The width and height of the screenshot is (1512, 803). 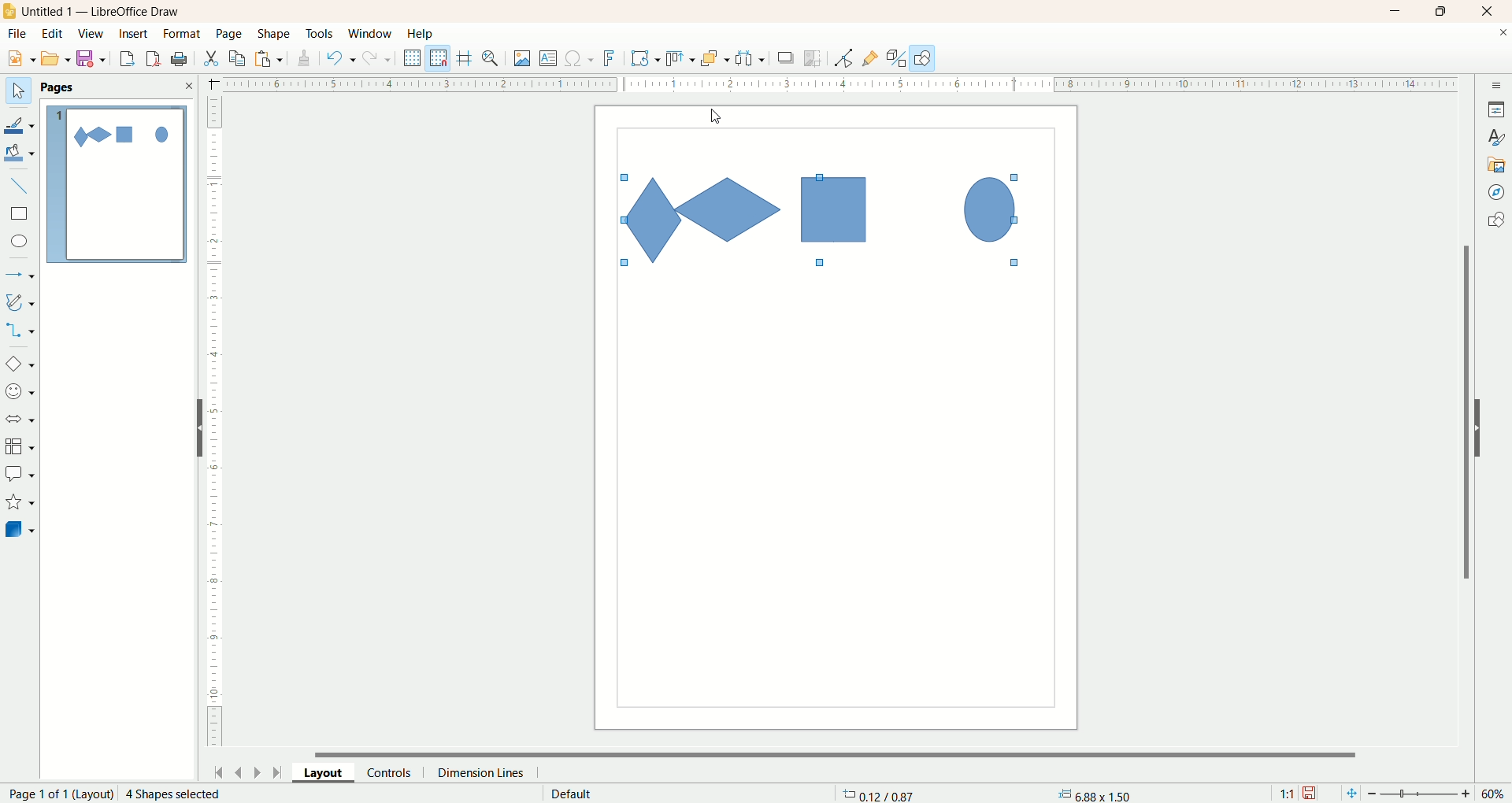 I want to click on page number, so click(x=57, y=794).